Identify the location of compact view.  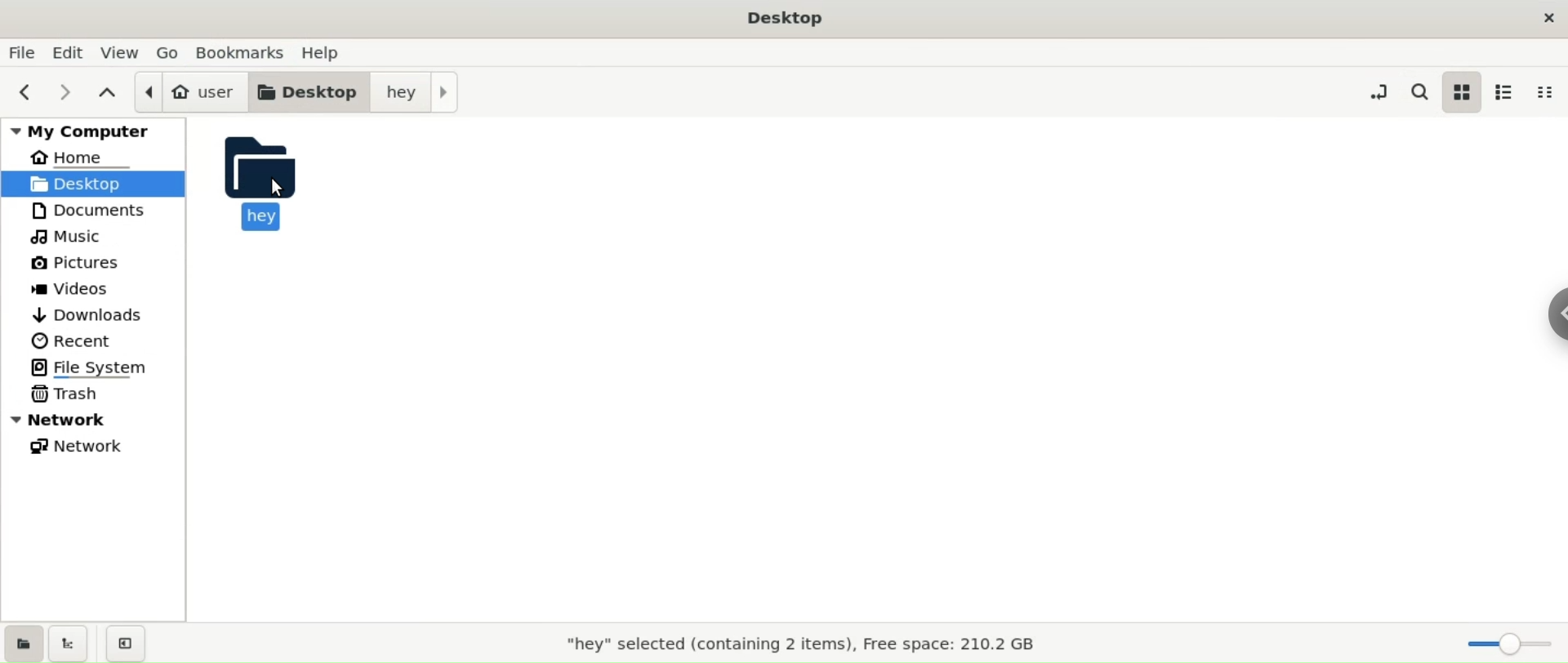
(1546, 91).